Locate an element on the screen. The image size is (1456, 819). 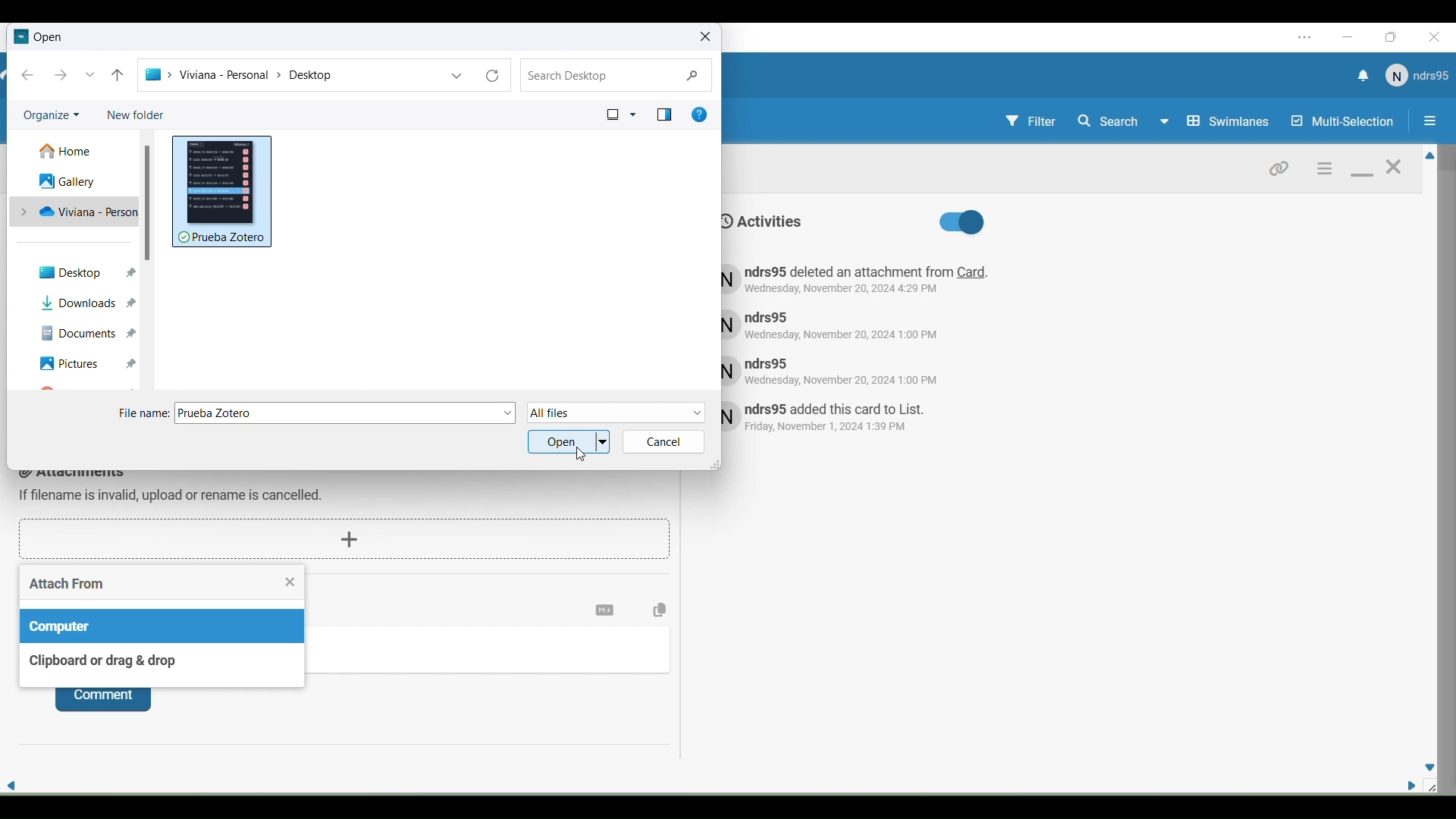
Minimize is located at coordinates (1362, 175).